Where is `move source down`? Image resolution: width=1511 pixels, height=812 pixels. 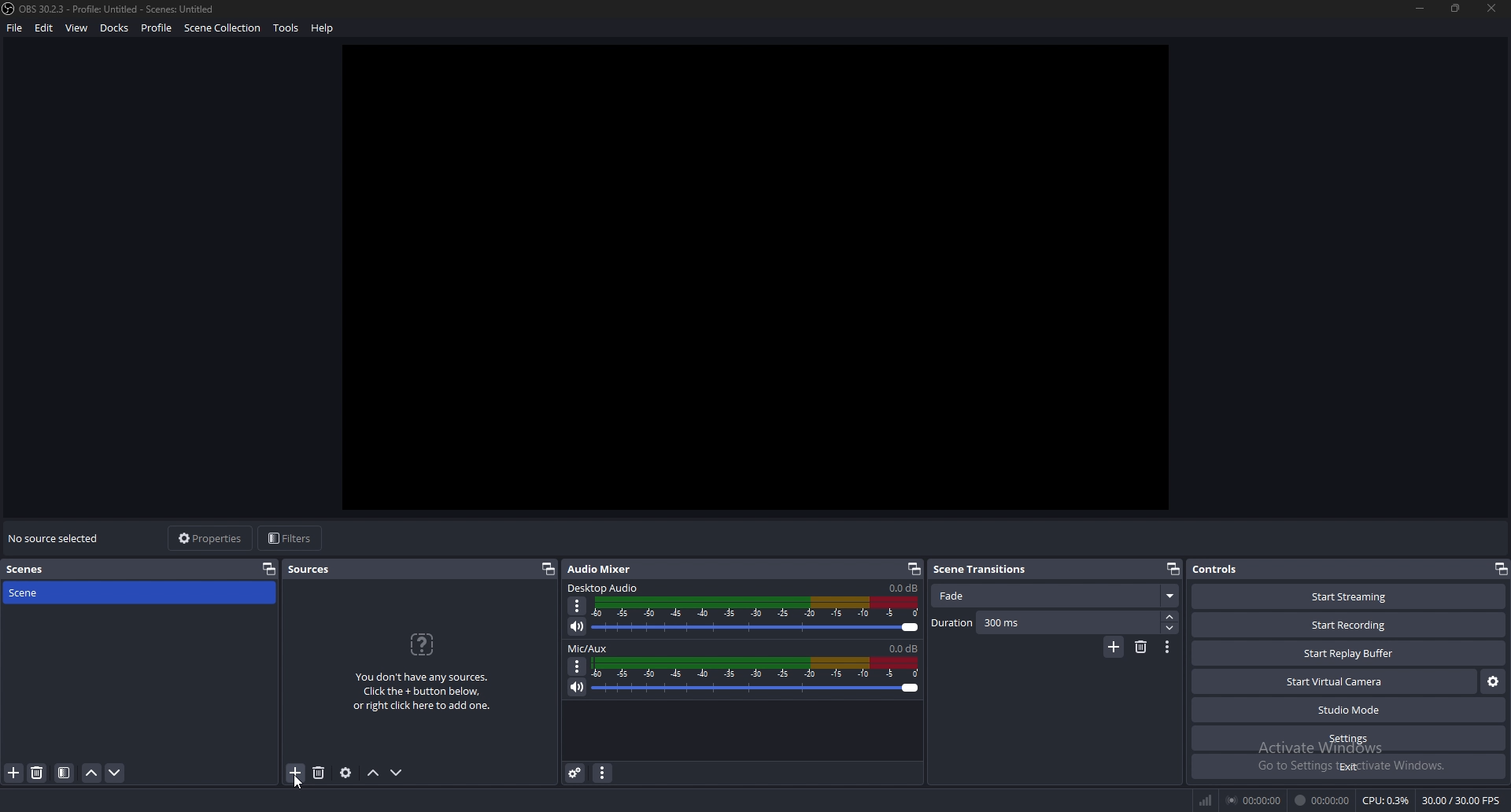
move source down is located at coordinates (397, 773).